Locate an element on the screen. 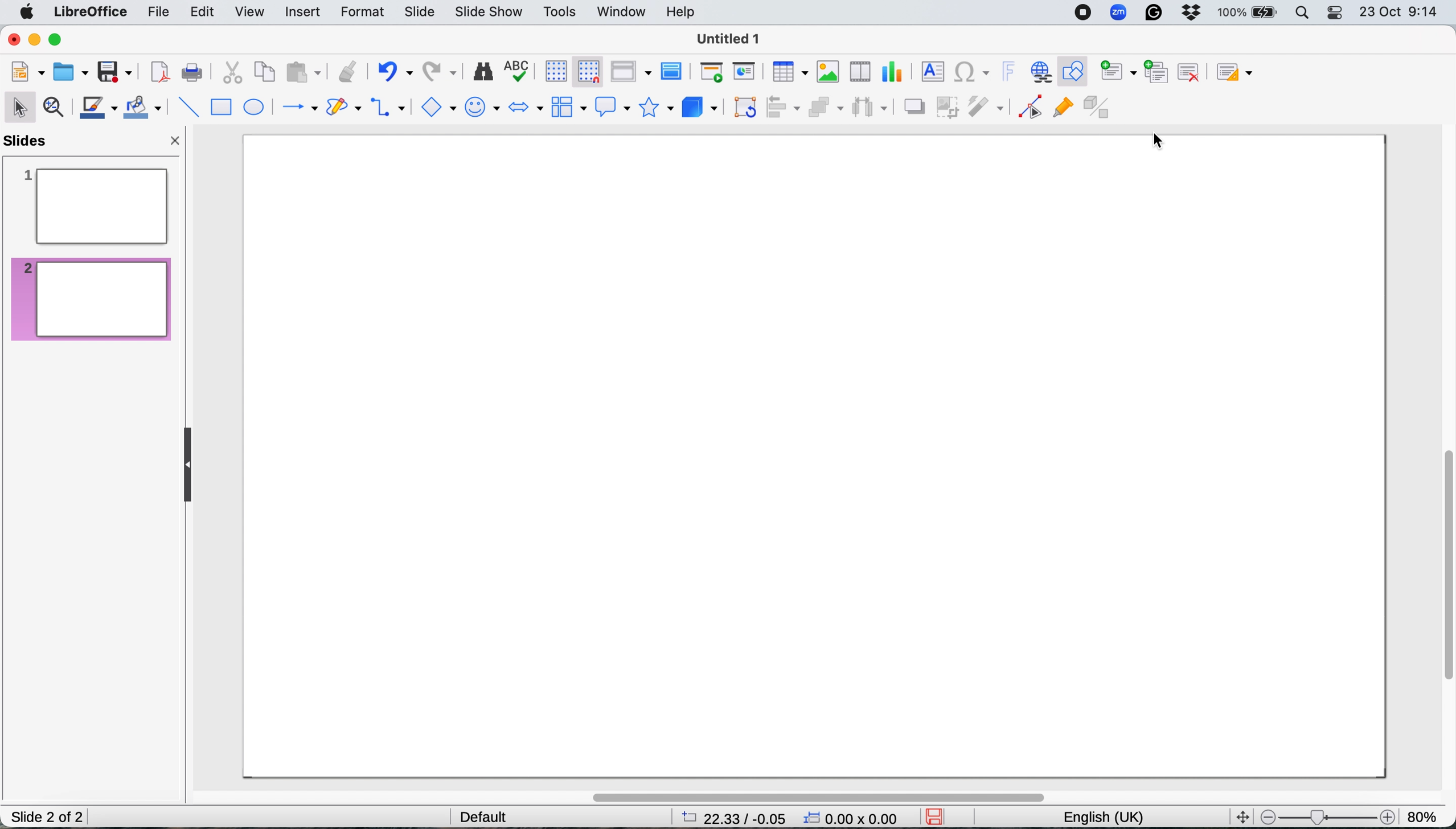 This screenshot has width=1456, height=829. insert hyperlink is located at coordinates (1041, 72).